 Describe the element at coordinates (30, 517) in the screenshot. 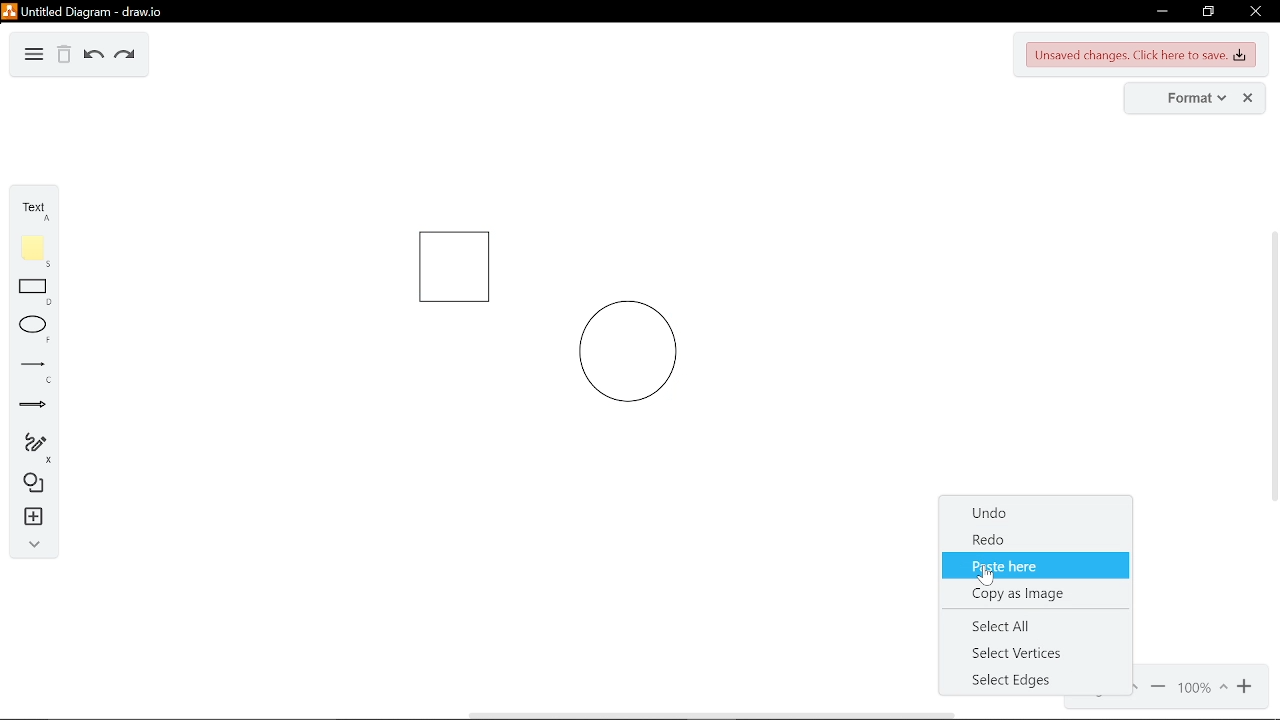

I see `insert` at that location.